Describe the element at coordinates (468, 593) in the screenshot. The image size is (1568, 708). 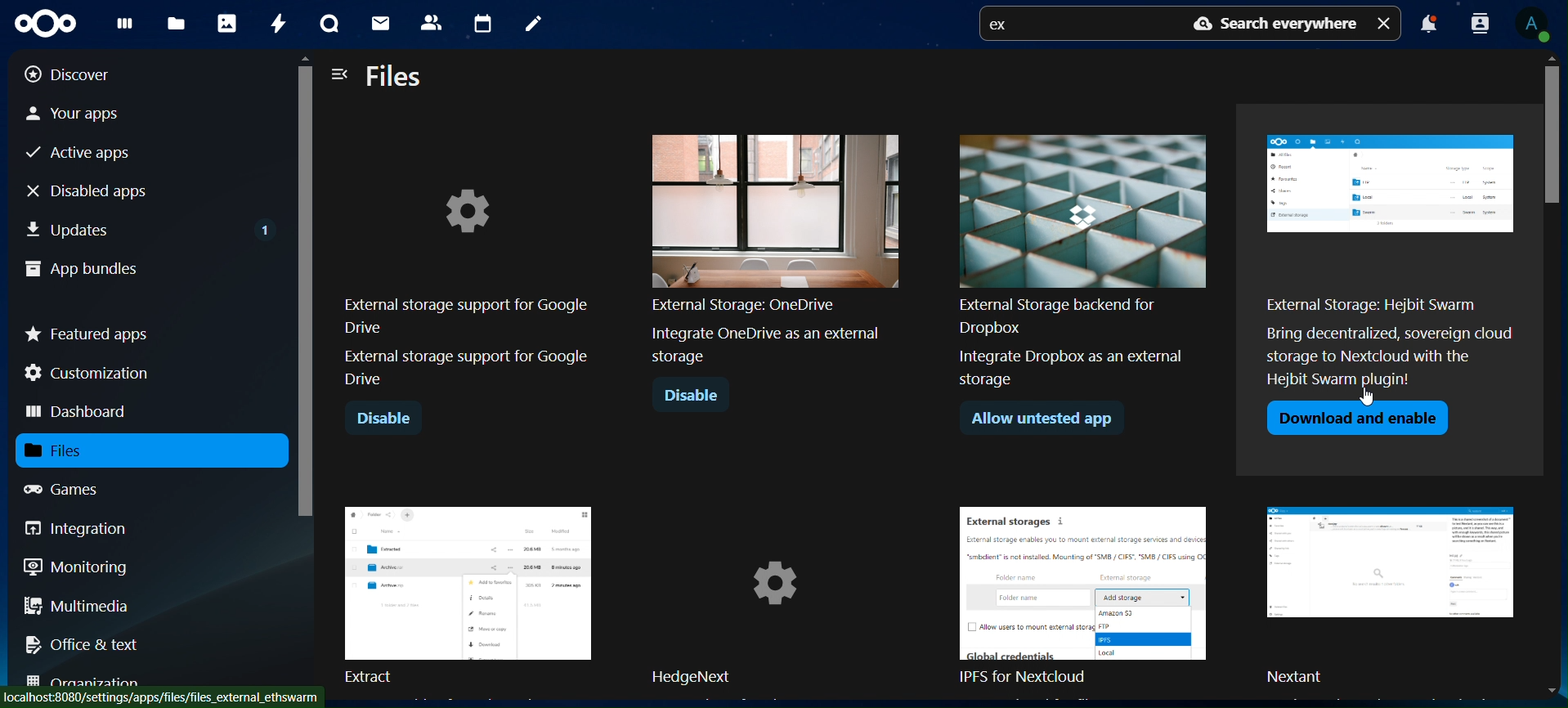
I see `extract` at that location.